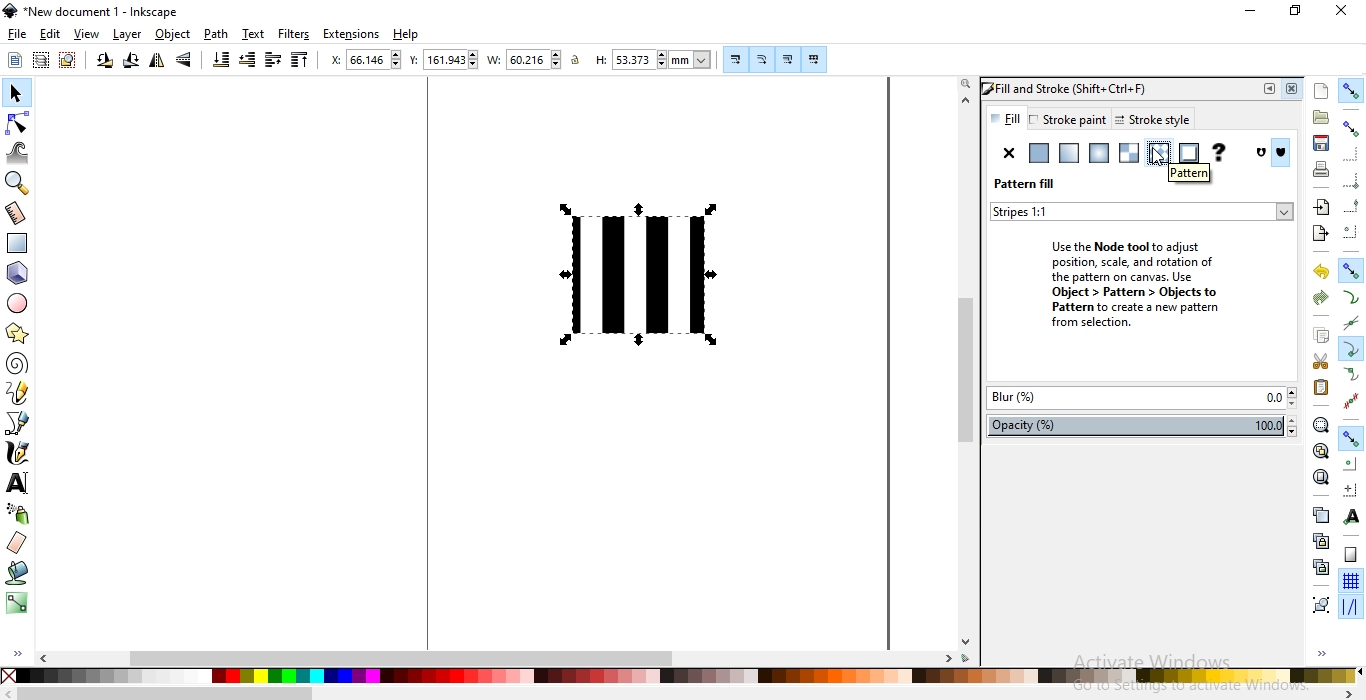 The image size is (1366, 700). I want to click on select all objects or nodes, so click(14, 60).